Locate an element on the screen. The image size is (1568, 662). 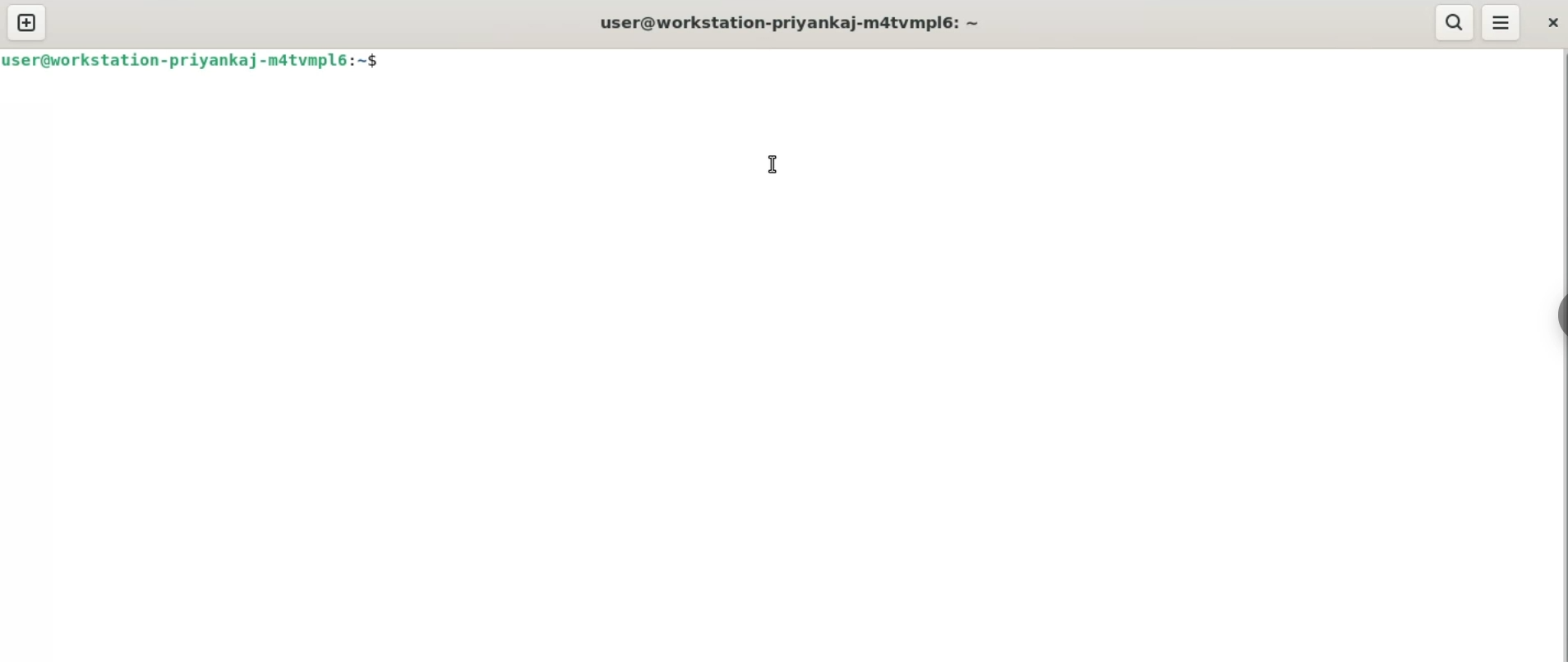
search is located at coordinates (1455, 22).